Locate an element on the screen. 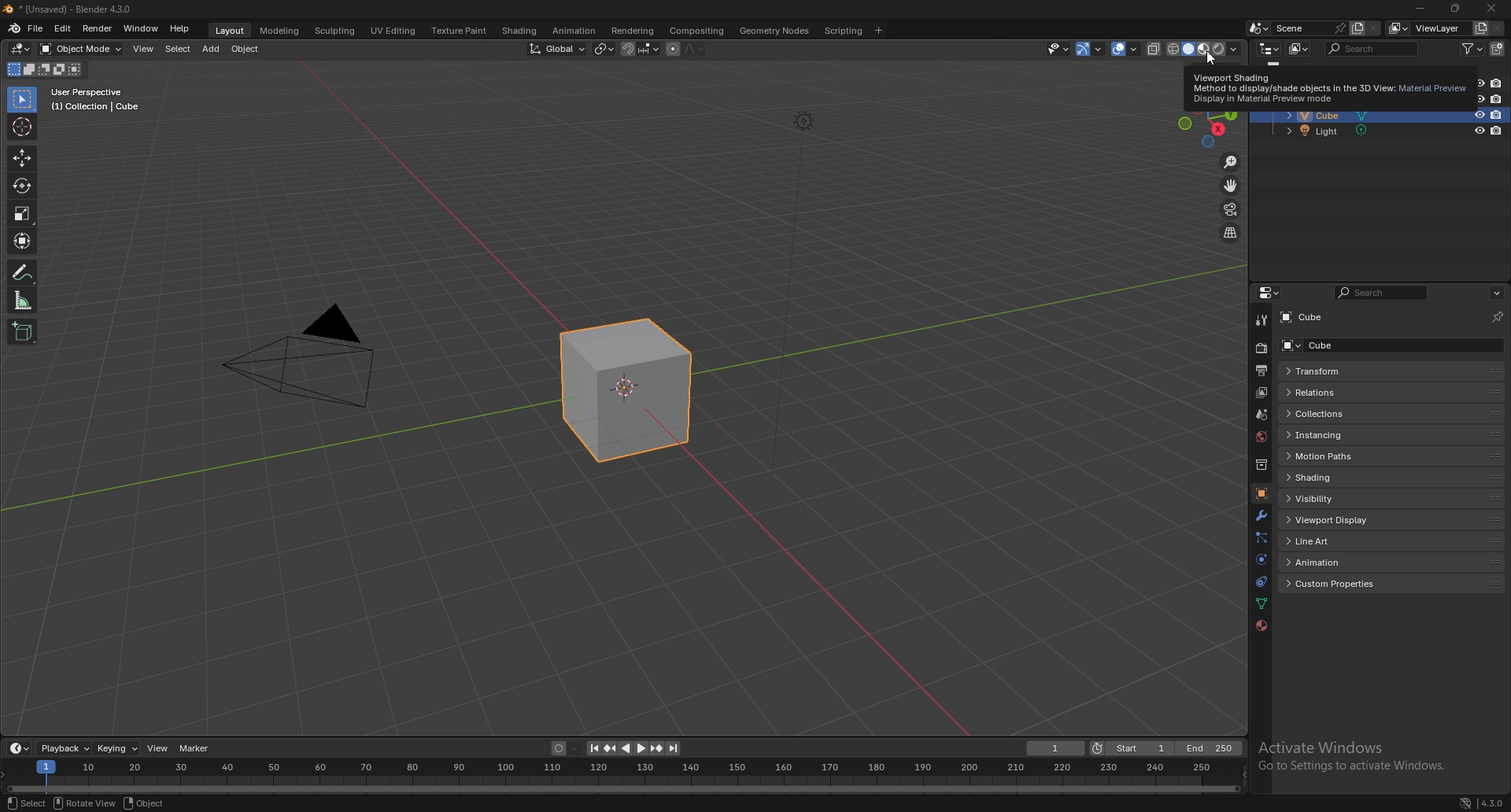 The height and width of the screenshot is (812, 1511). window is located at coordinates (140, 28).